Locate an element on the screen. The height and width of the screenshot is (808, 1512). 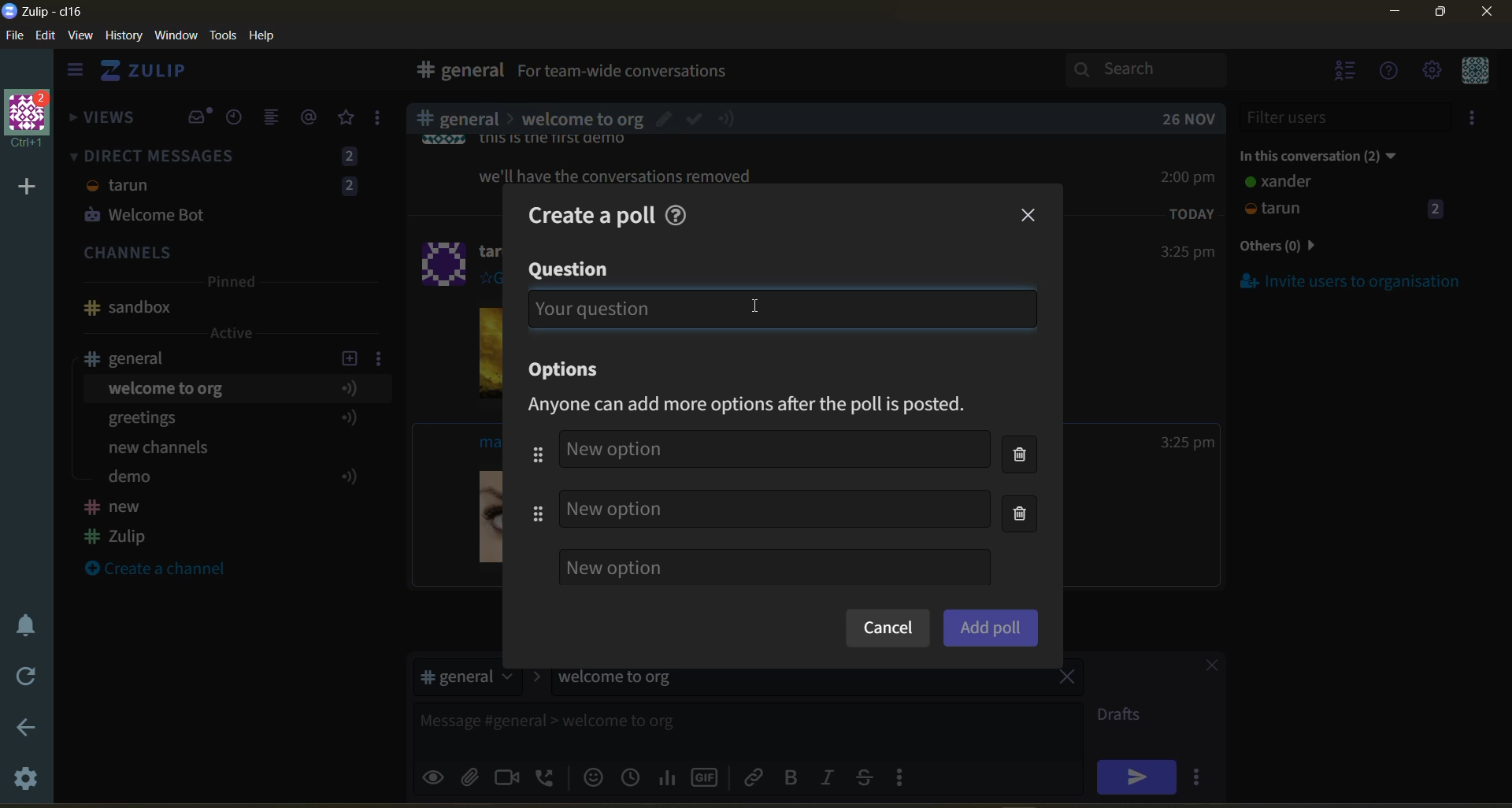
26 nov is located at coordinates (1189, 119).